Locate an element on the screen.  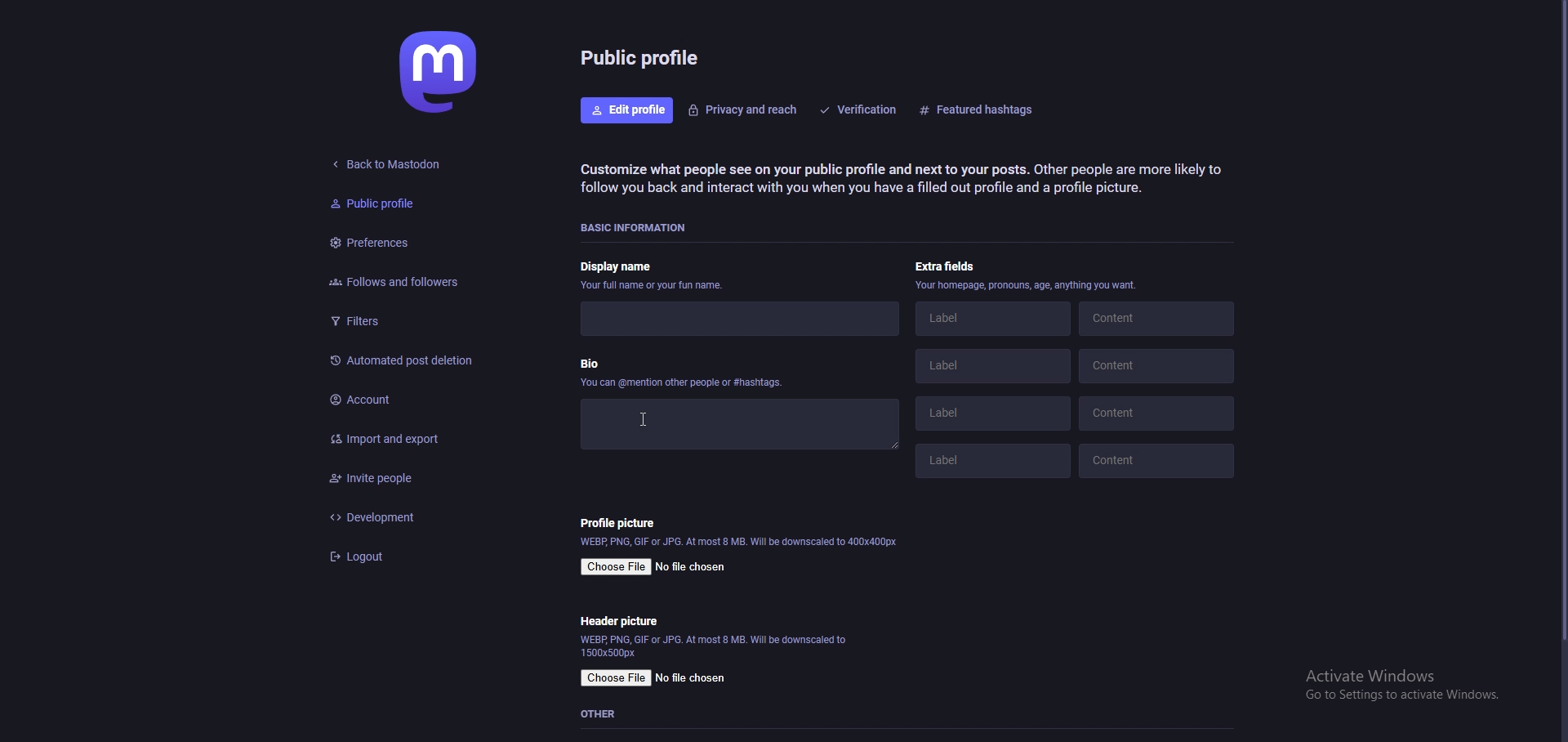
header picture is located at coordinates (618, 621).